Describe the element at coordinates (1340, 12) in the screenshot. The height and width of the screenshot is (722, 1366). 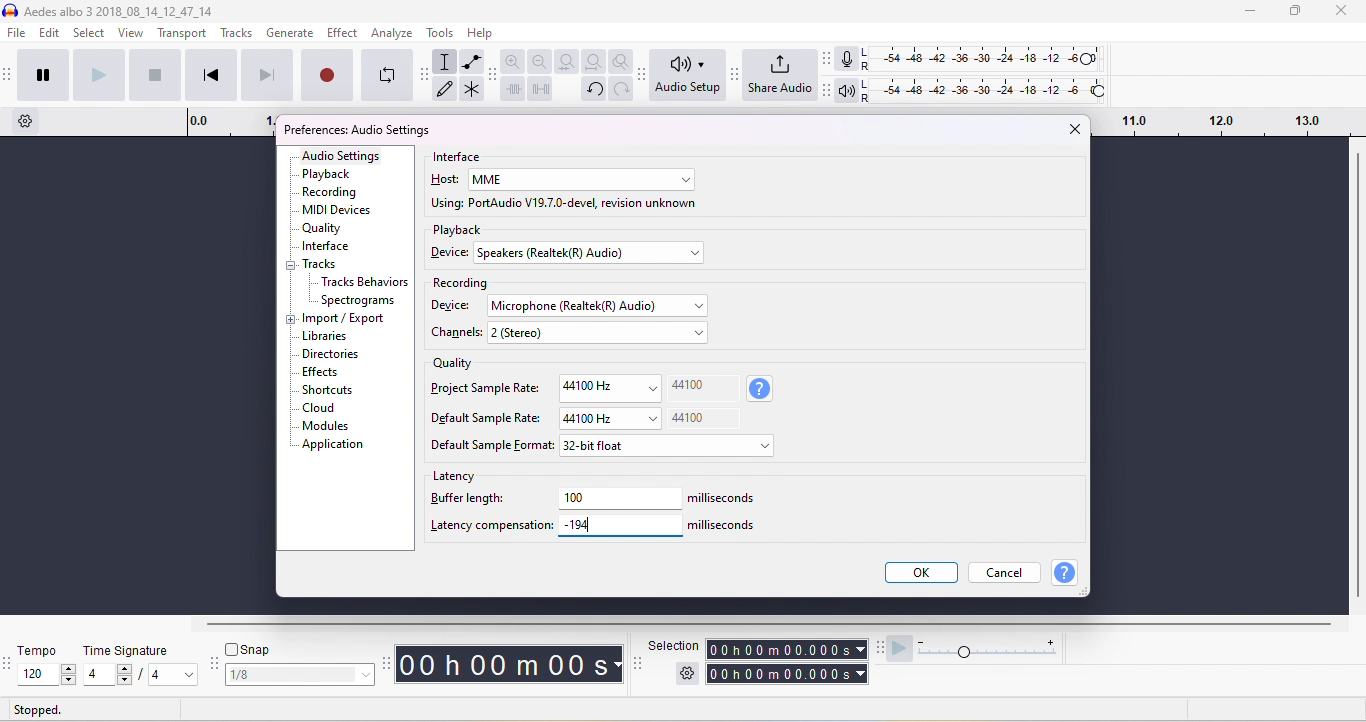
I see `close` at that location.